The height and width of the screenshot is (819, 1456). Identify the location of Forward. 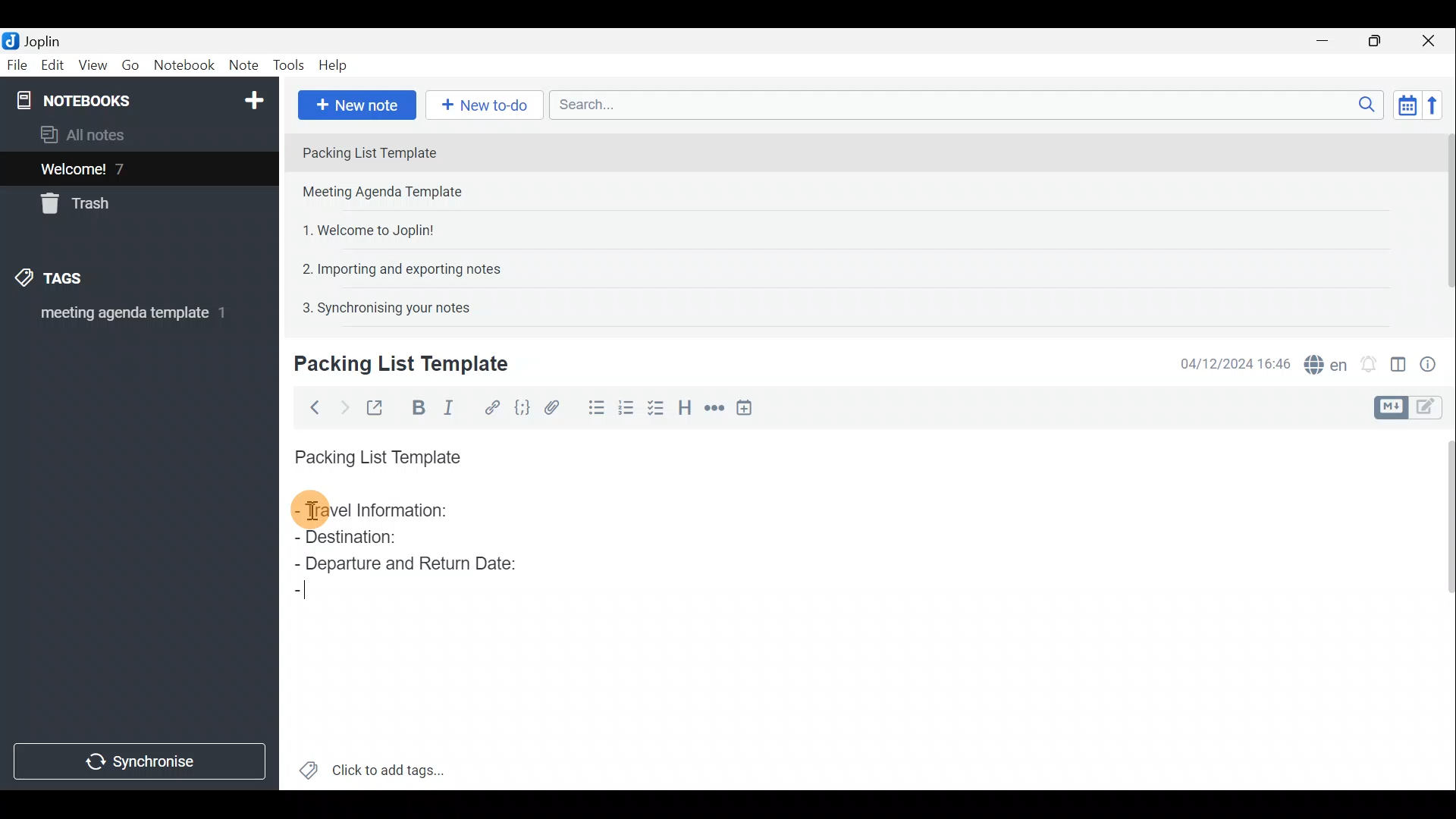
(341, 406).